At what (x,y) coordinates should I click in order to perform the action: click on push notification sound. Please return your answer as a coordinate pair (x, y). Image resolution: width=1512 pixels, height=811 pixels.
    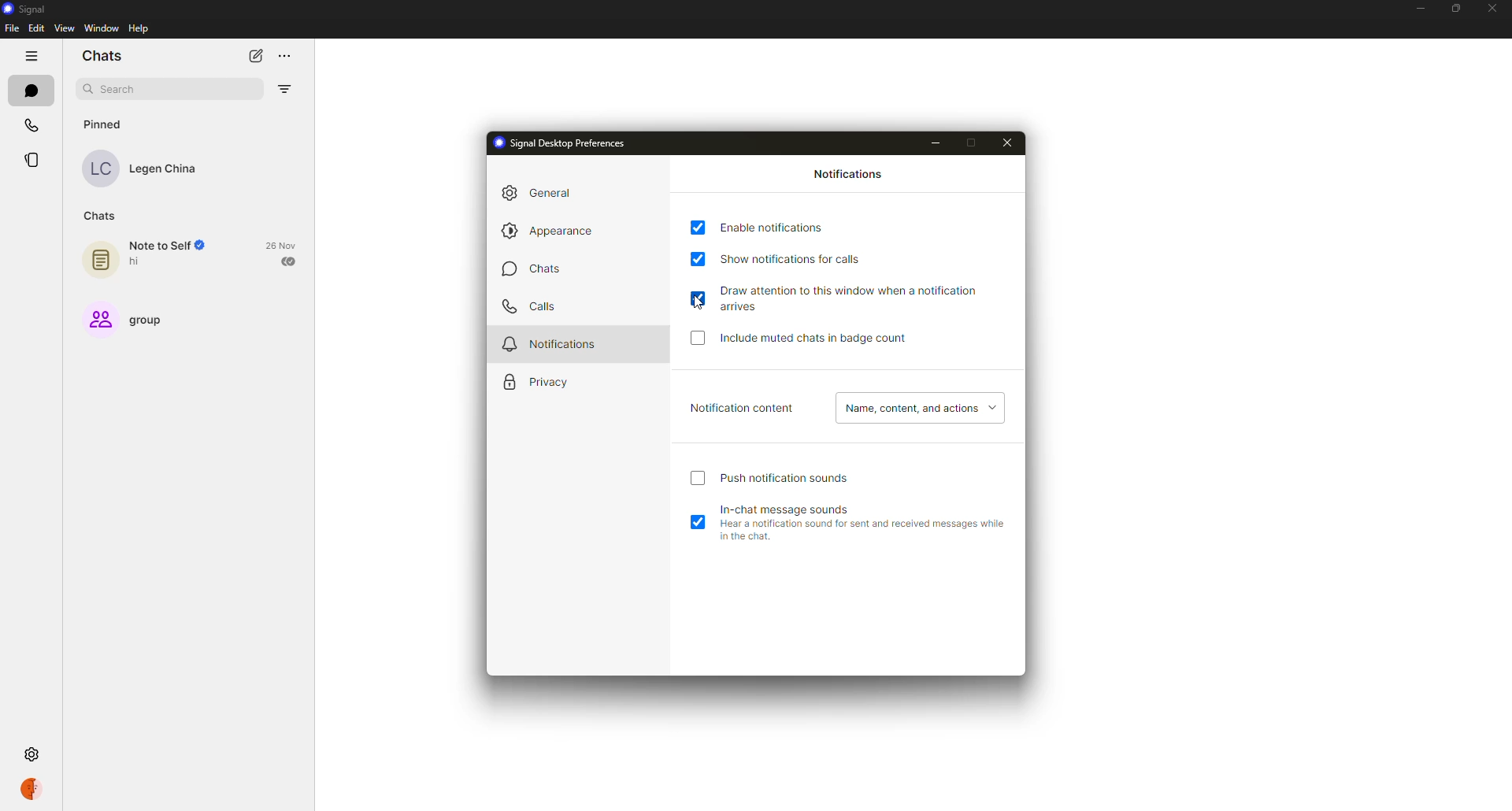
    Looking at the image, I should click on (787, 478).